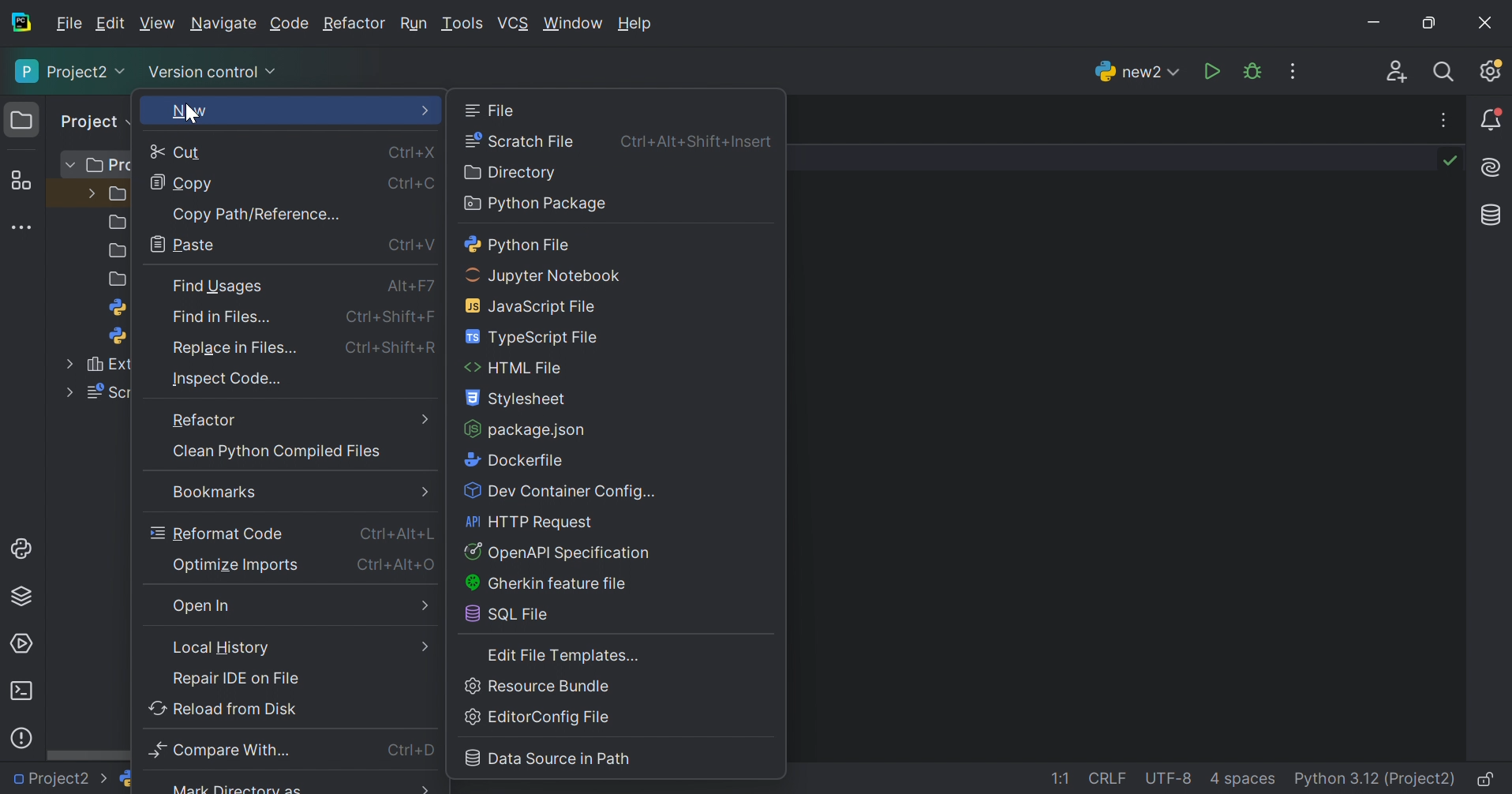  What do you see at coordinates (181, 185) in the screenshot?
I see `Copy` at bounding box center [181, 185].